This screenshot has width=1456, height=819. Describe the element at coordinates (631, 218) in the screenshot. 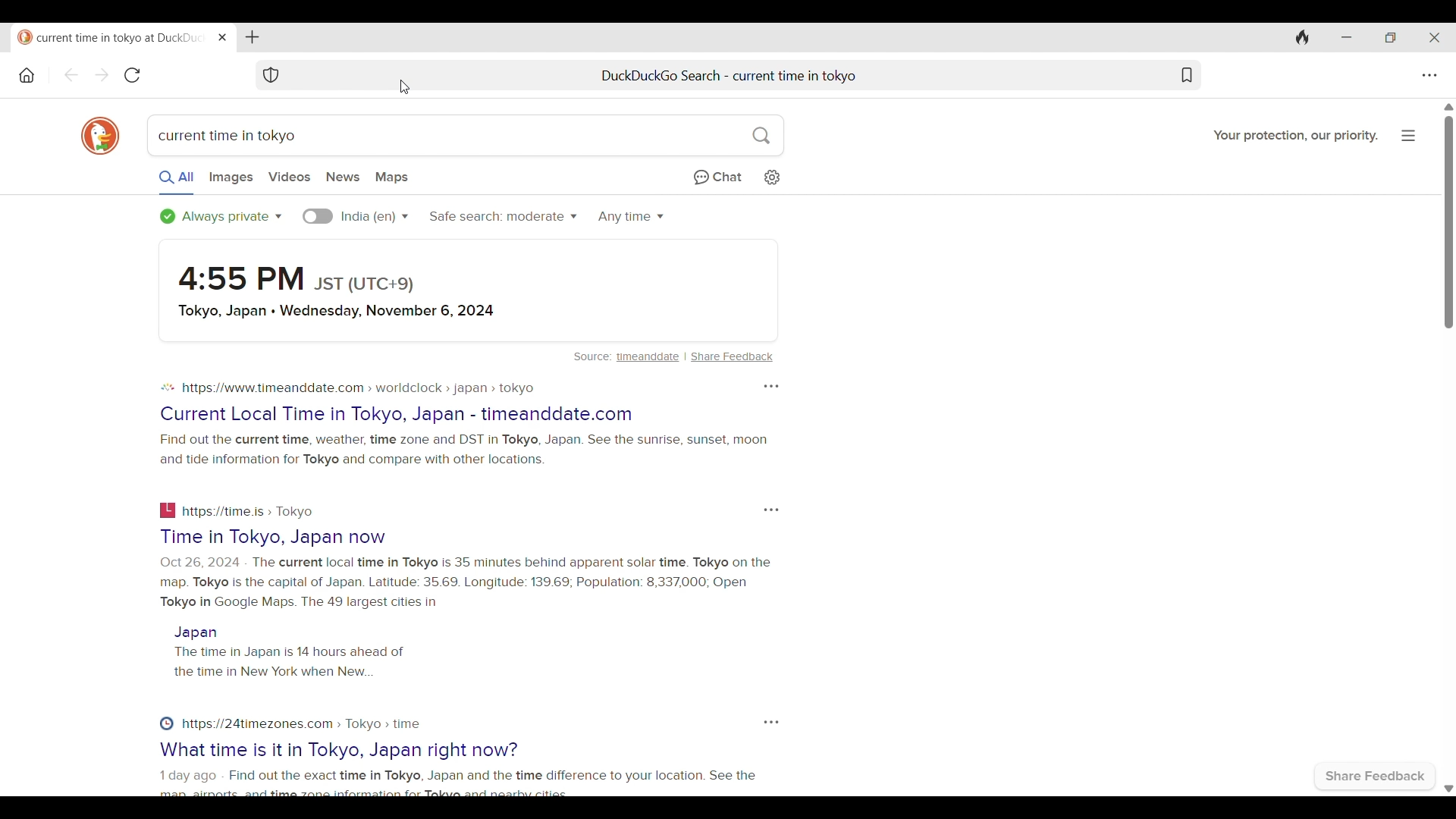

I see `Search specific to time` at that location.